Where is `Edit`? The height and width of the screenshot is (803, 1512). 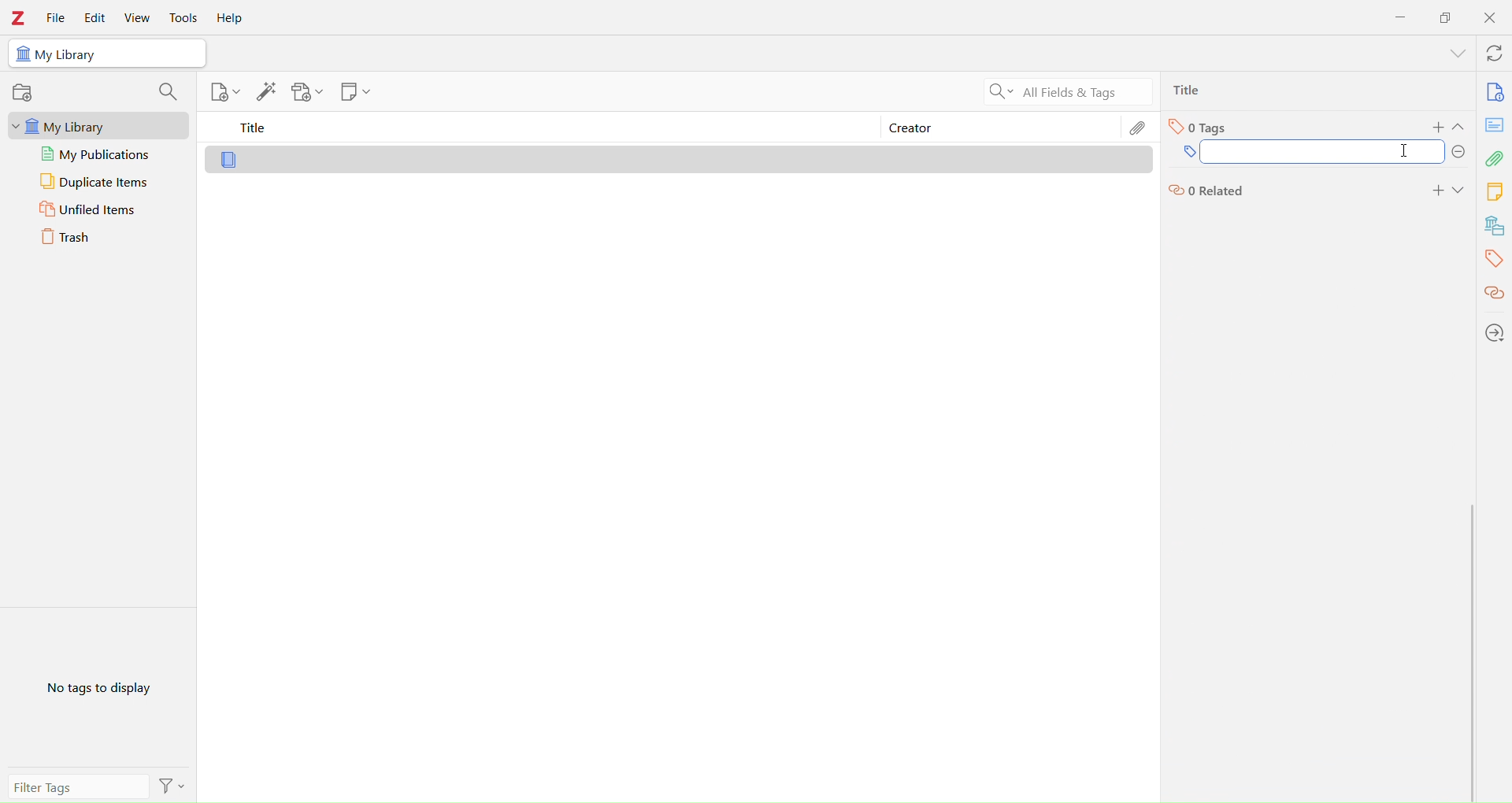
Edit is located at coordinates (93, 14).